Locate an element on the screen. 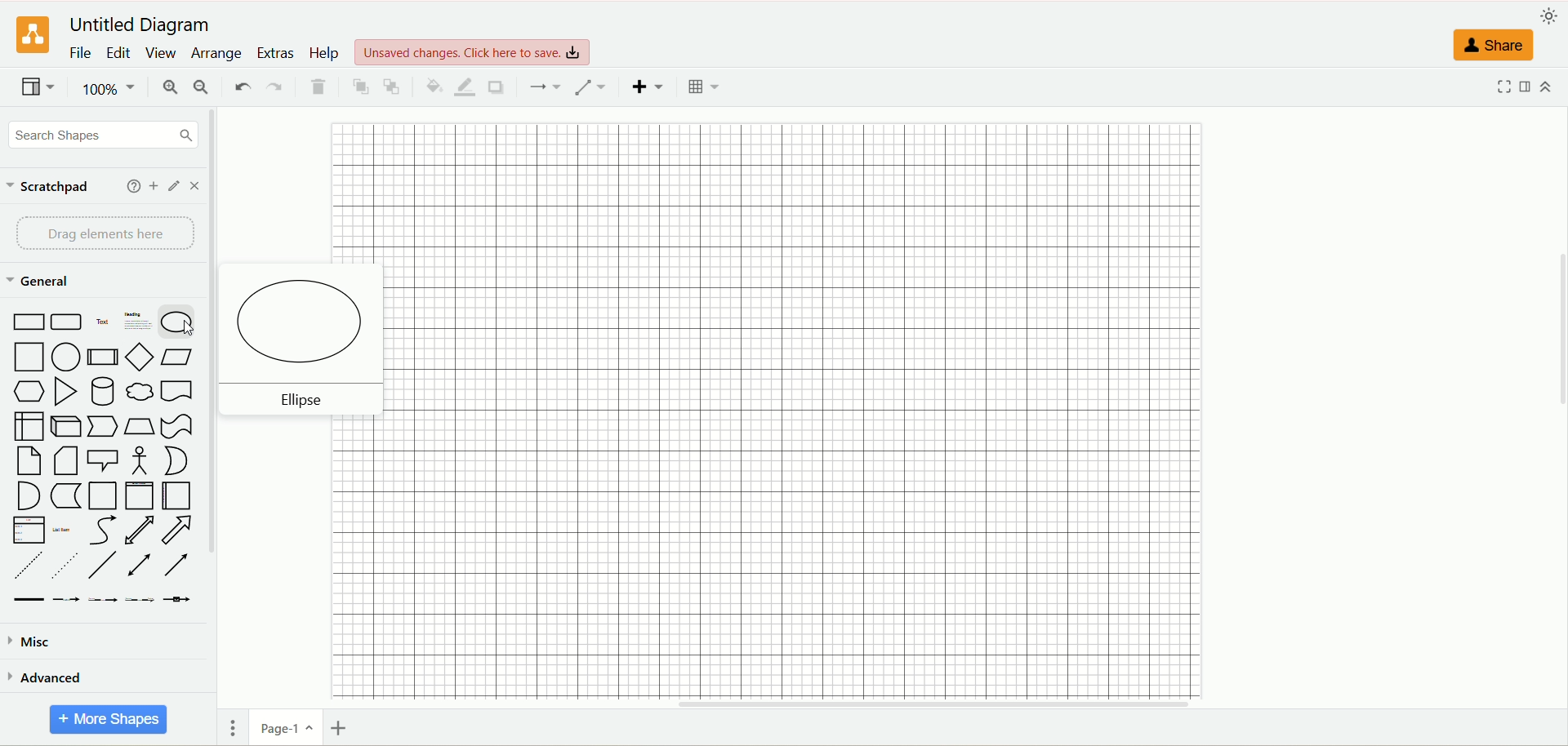 The image size is (1568, 746). to front is located at coordinates (361, 87).